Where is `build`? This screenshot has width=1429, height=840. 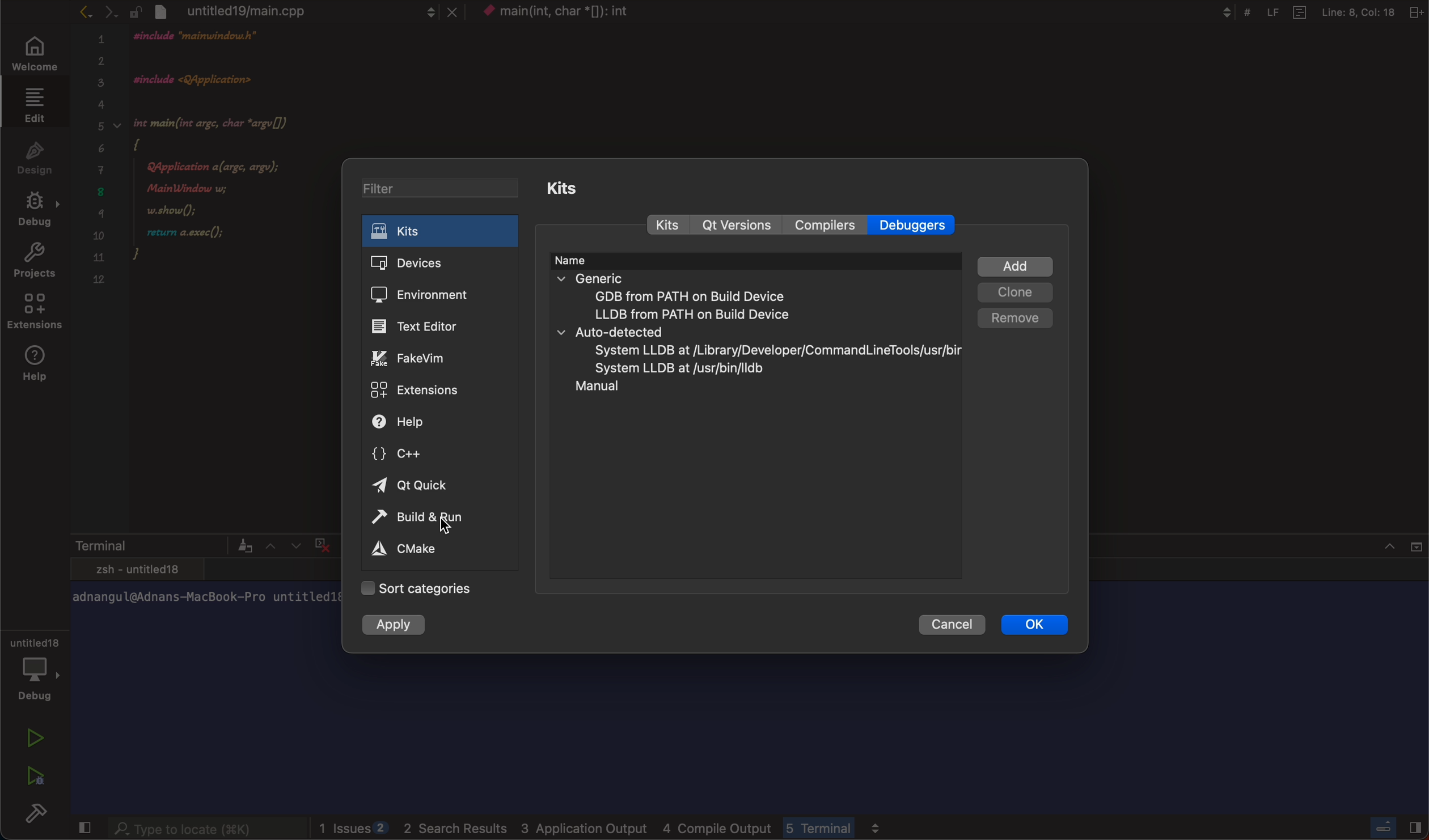 build is located at coordinates (33, 814).